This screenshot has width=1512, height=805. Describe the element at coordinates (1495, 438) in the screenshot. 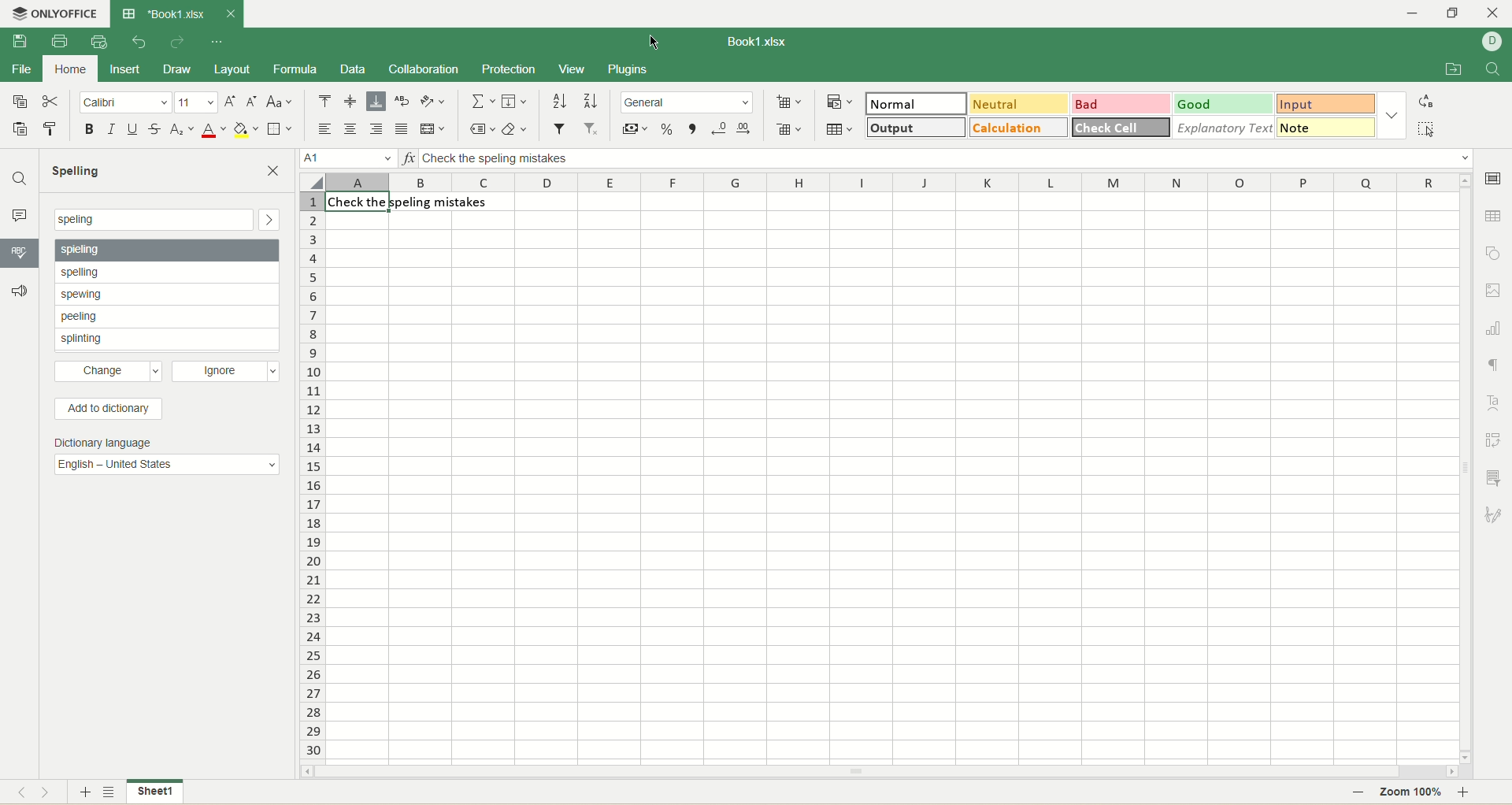

I see `pivot settings` at that location.